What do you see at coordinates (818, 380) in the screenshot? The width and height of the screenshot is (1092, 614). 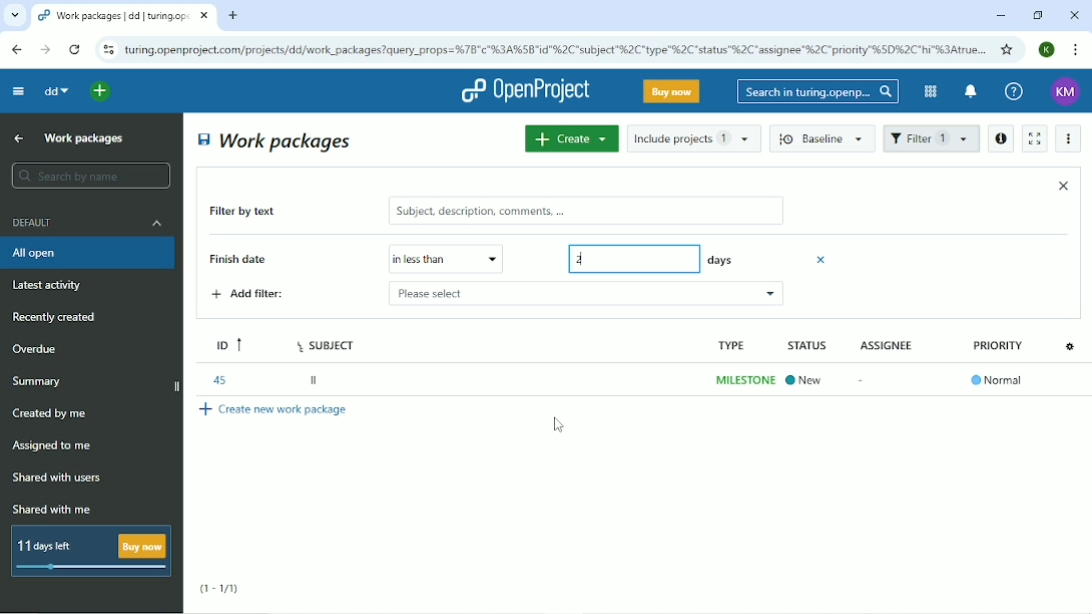 I see `In progress ` at bounding box center [818, 380].